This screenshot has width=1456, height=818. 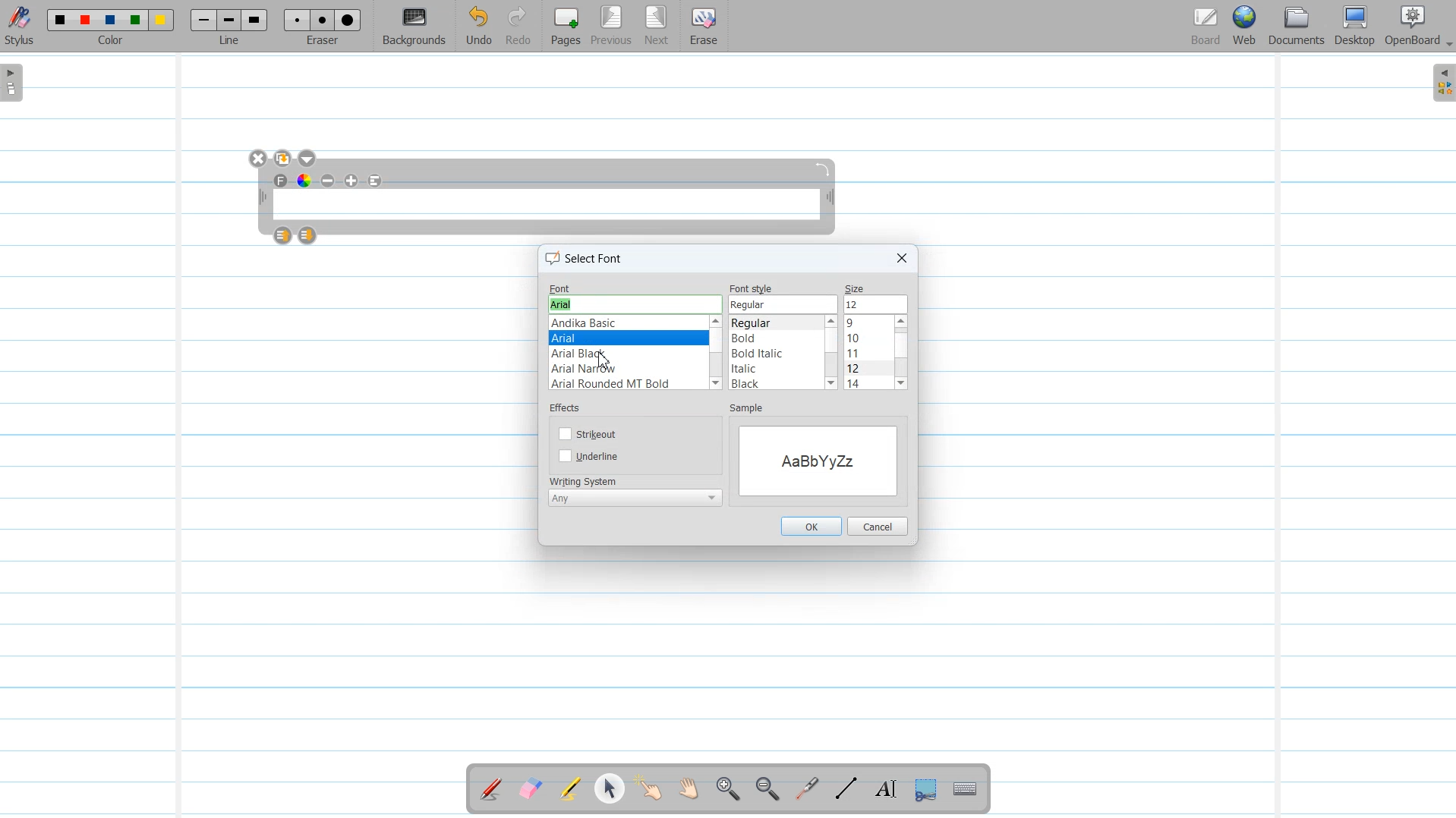 I want to click on Writing system, so click(x=633, y=500).